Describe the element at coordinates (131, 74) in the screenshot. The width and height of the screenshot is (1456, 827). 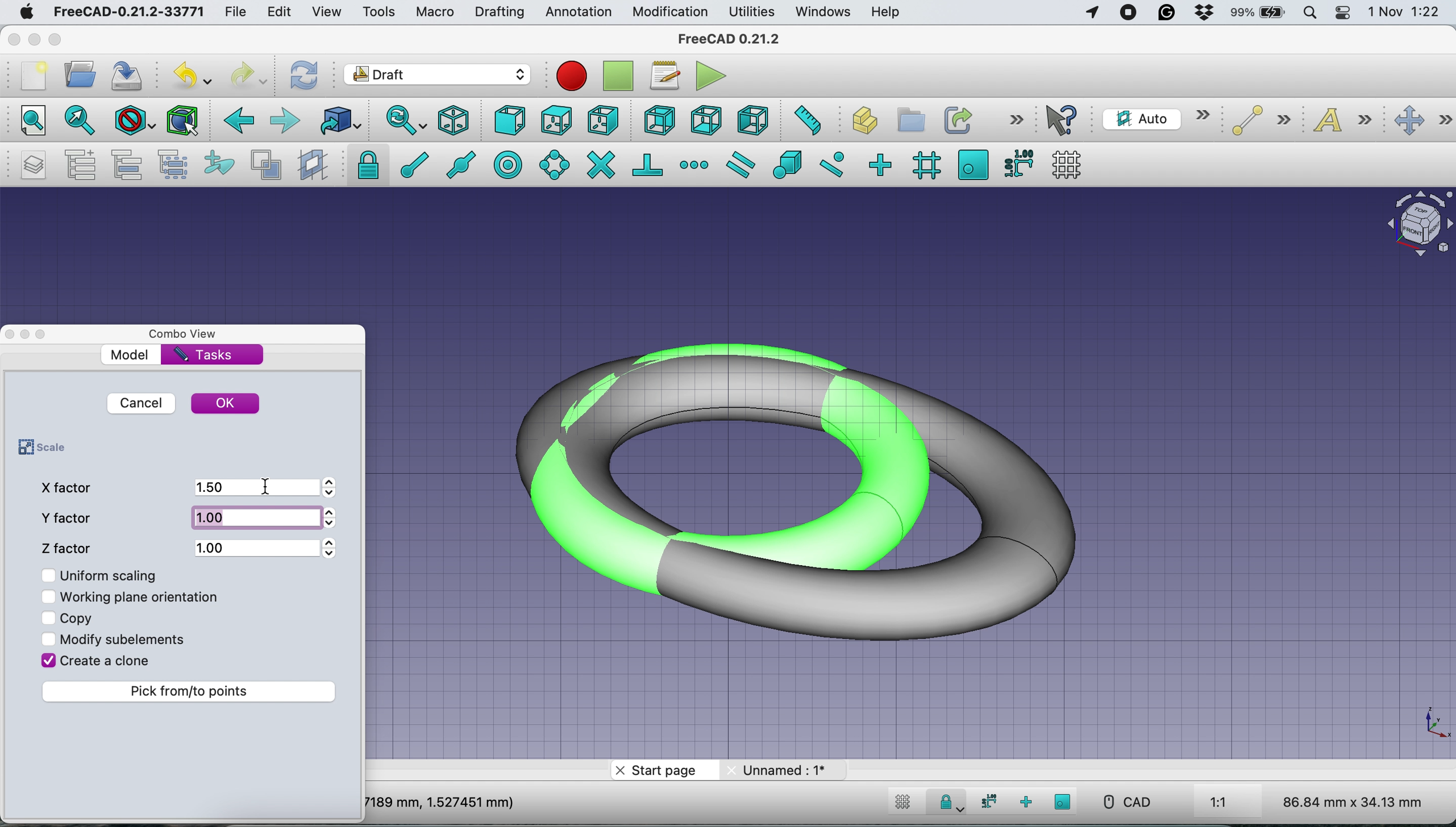
I see `save` at that location.